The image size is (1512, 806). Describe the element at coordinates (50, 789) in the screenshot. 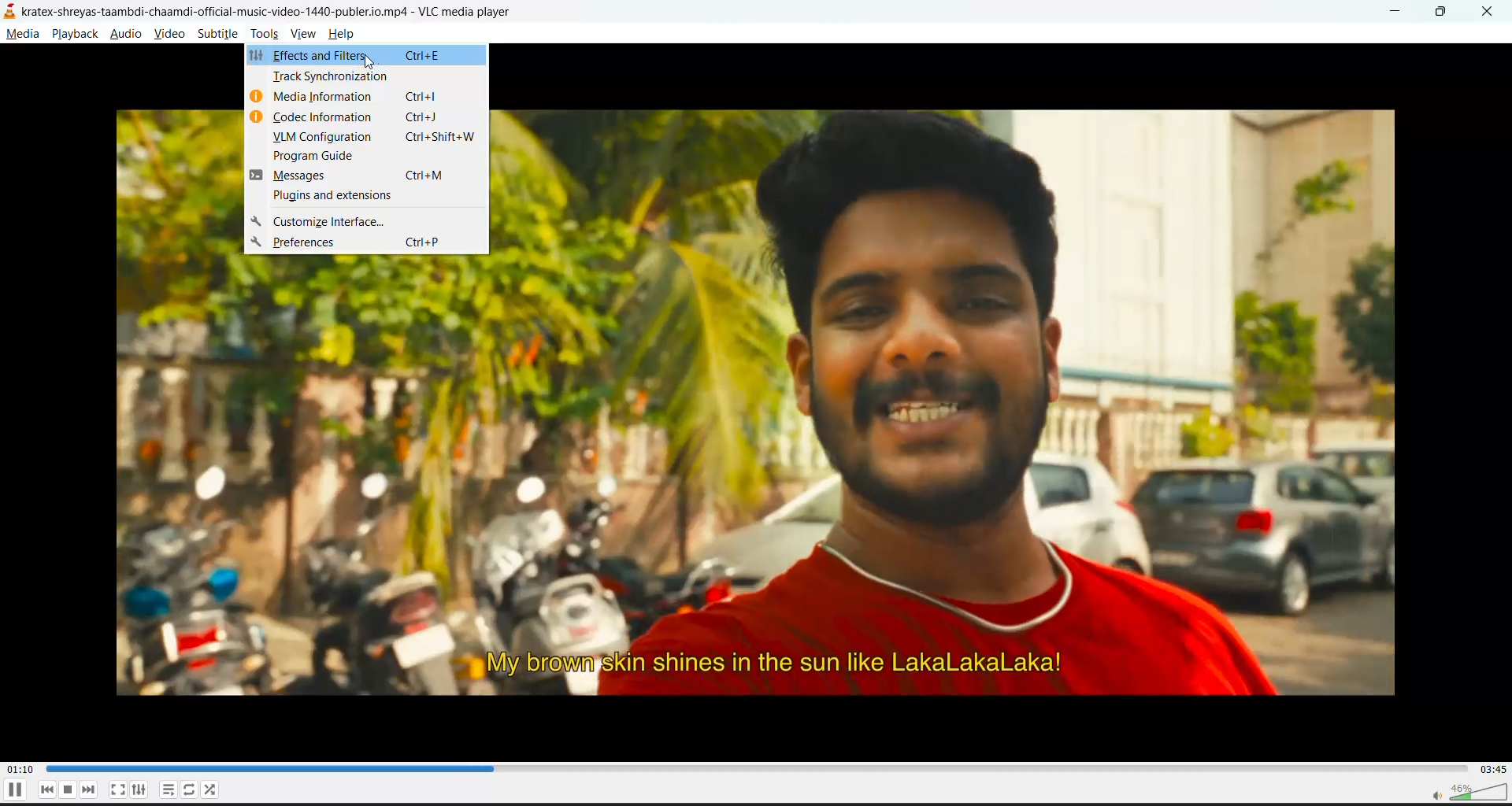

I see `previous` at that location.